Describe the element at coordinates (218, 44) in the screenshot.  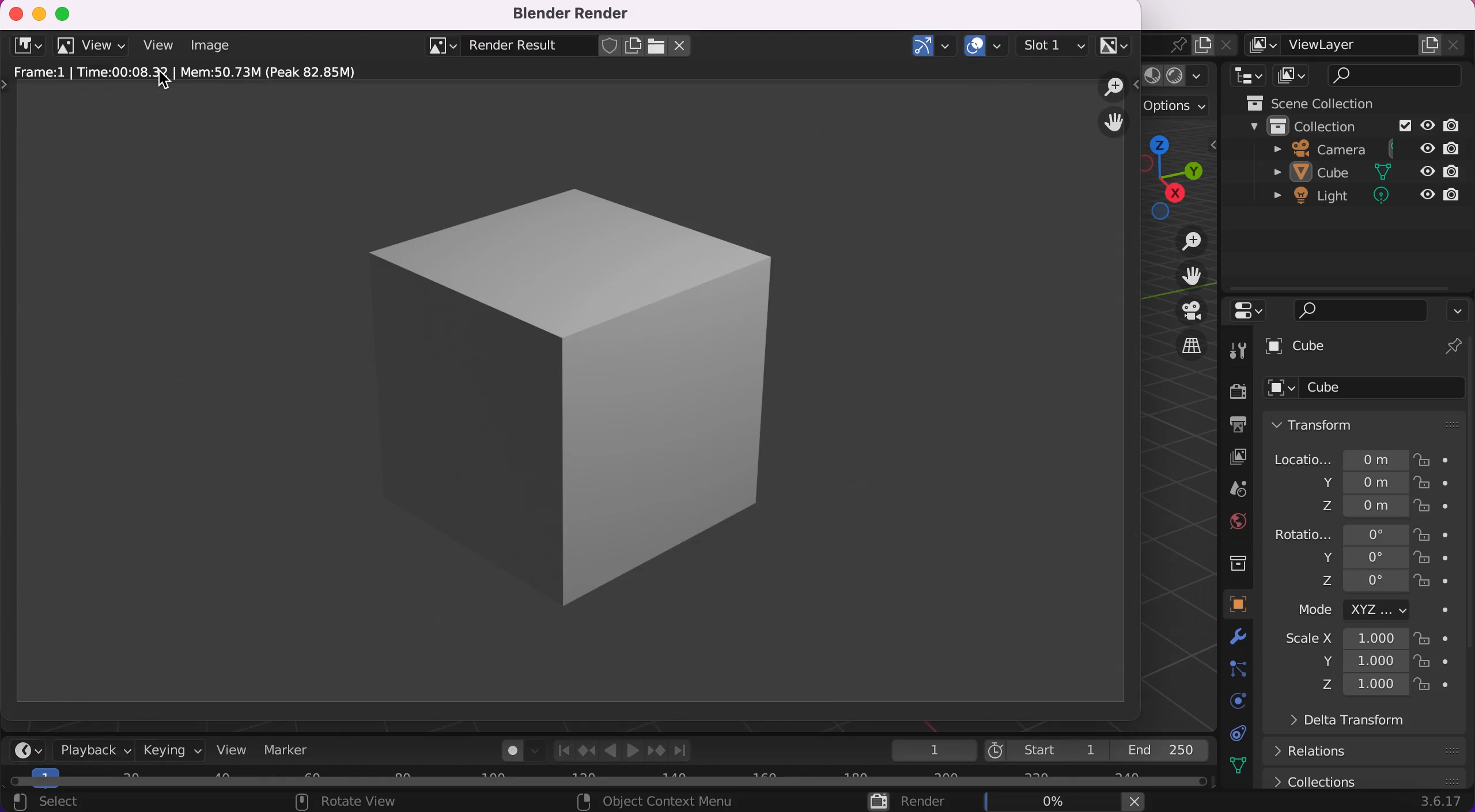
I see `image` at that location.